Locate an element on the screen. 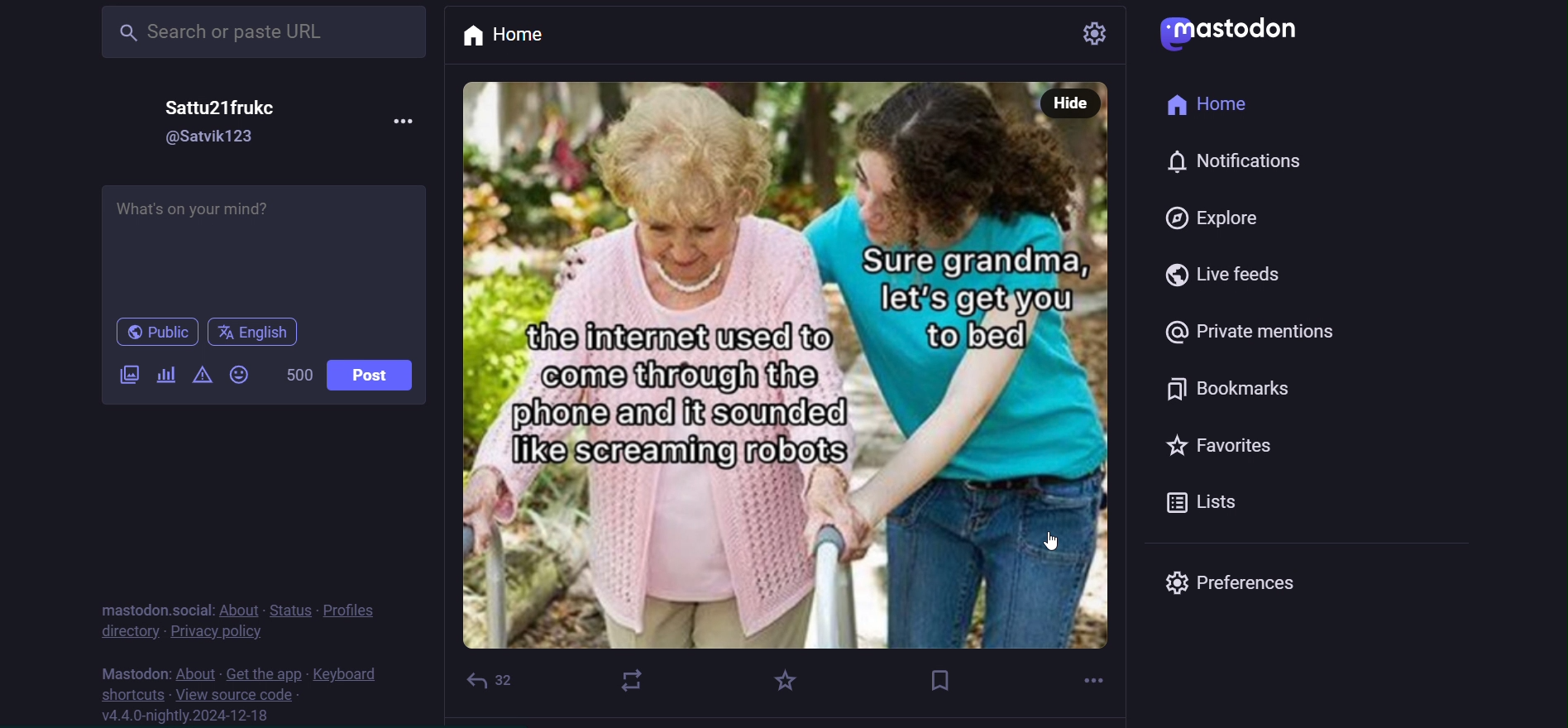  list is located at coordinates (1209, 502).